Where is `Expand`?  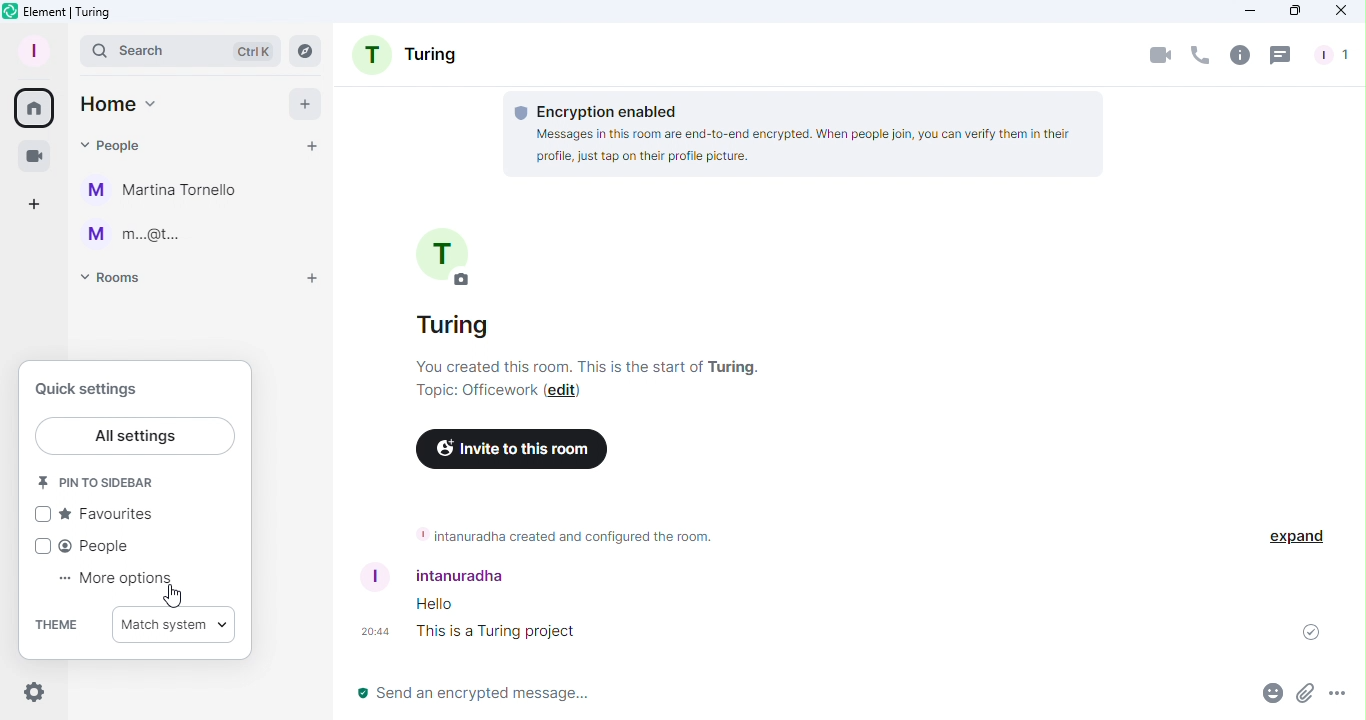 Expand is located at coordinates (66, 48).